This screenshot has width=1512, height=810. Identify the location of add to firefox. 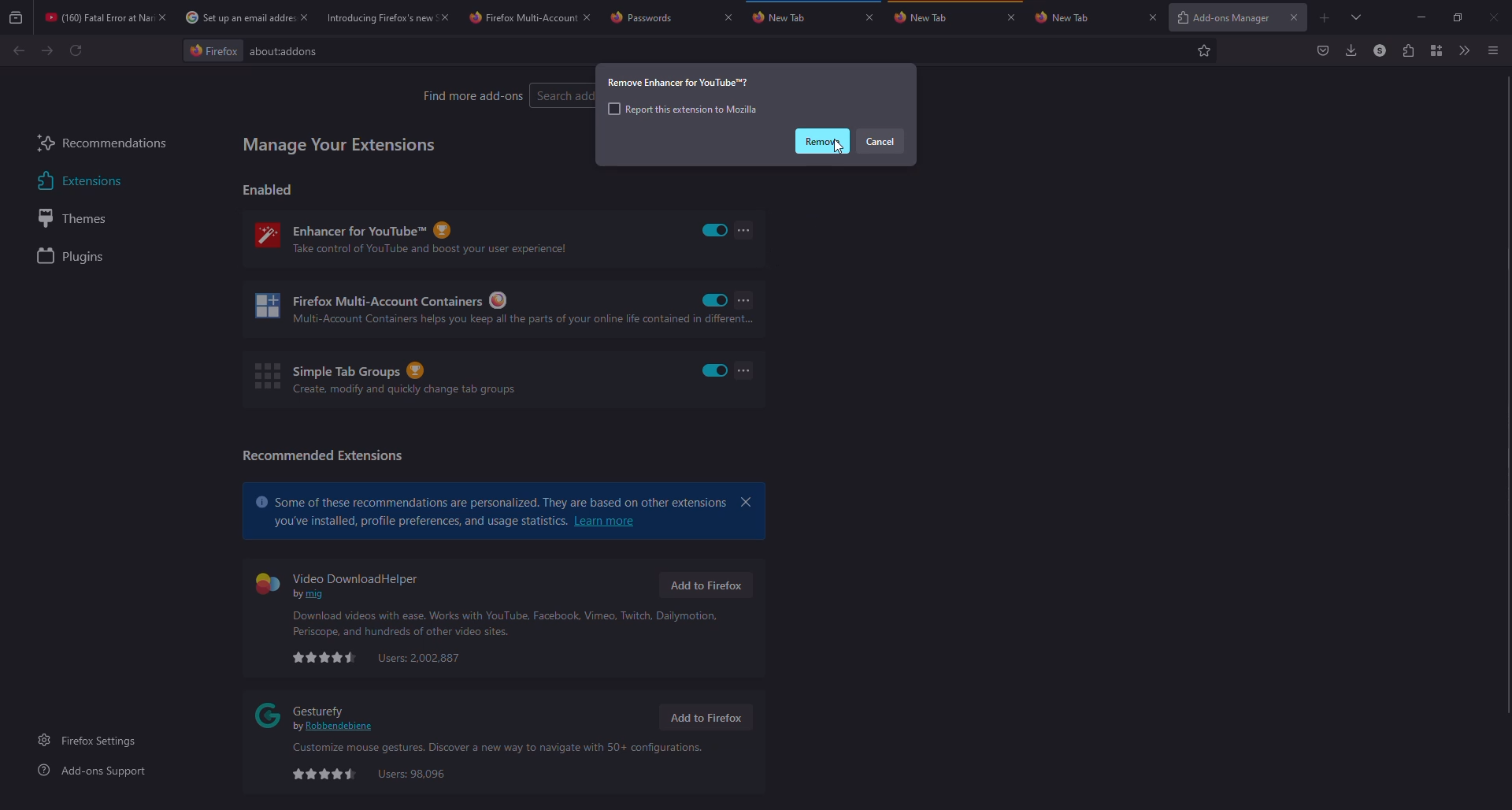
(704, 718).